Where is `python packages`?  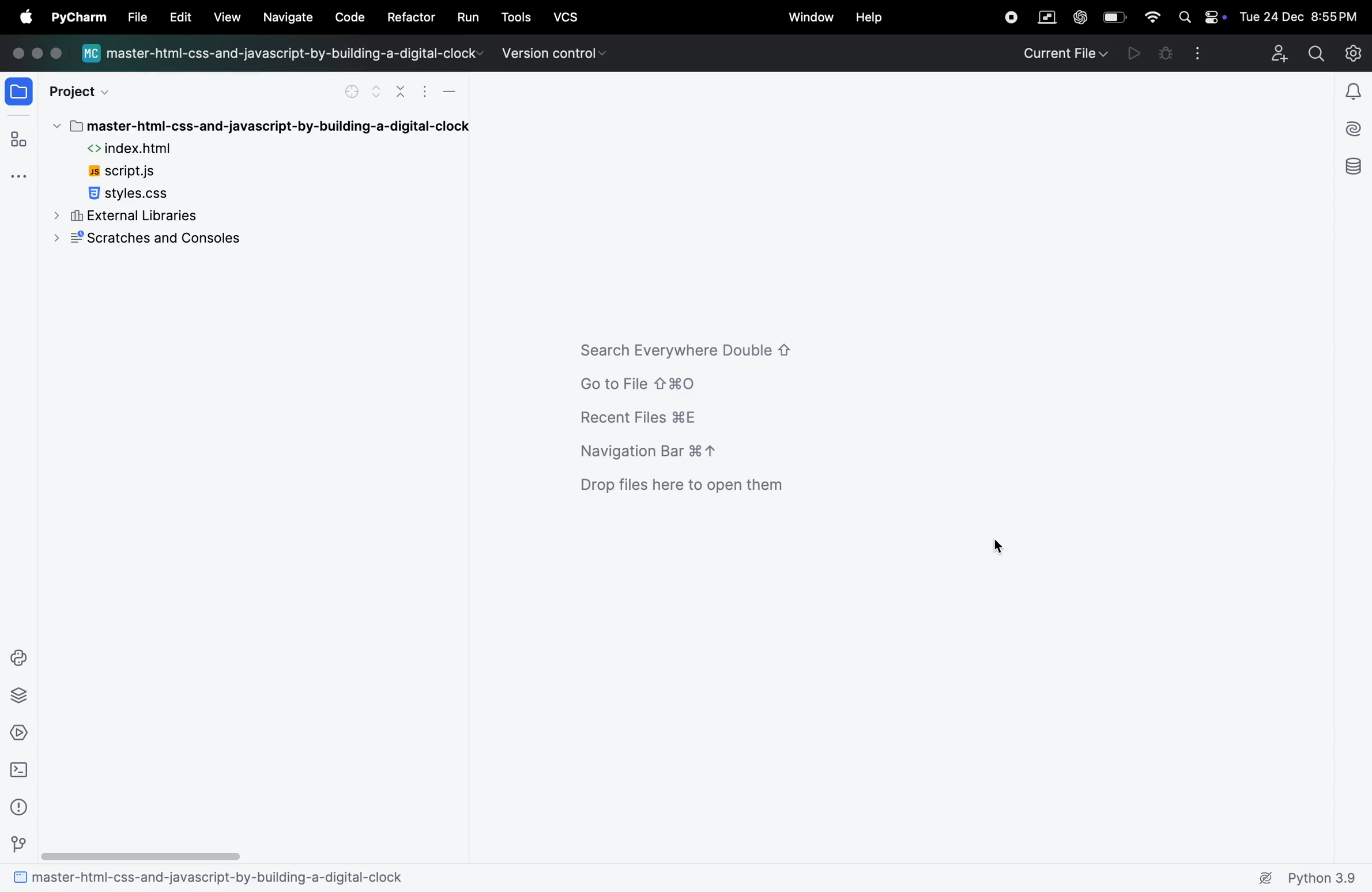
python packages is located at coordinates (22, 696).